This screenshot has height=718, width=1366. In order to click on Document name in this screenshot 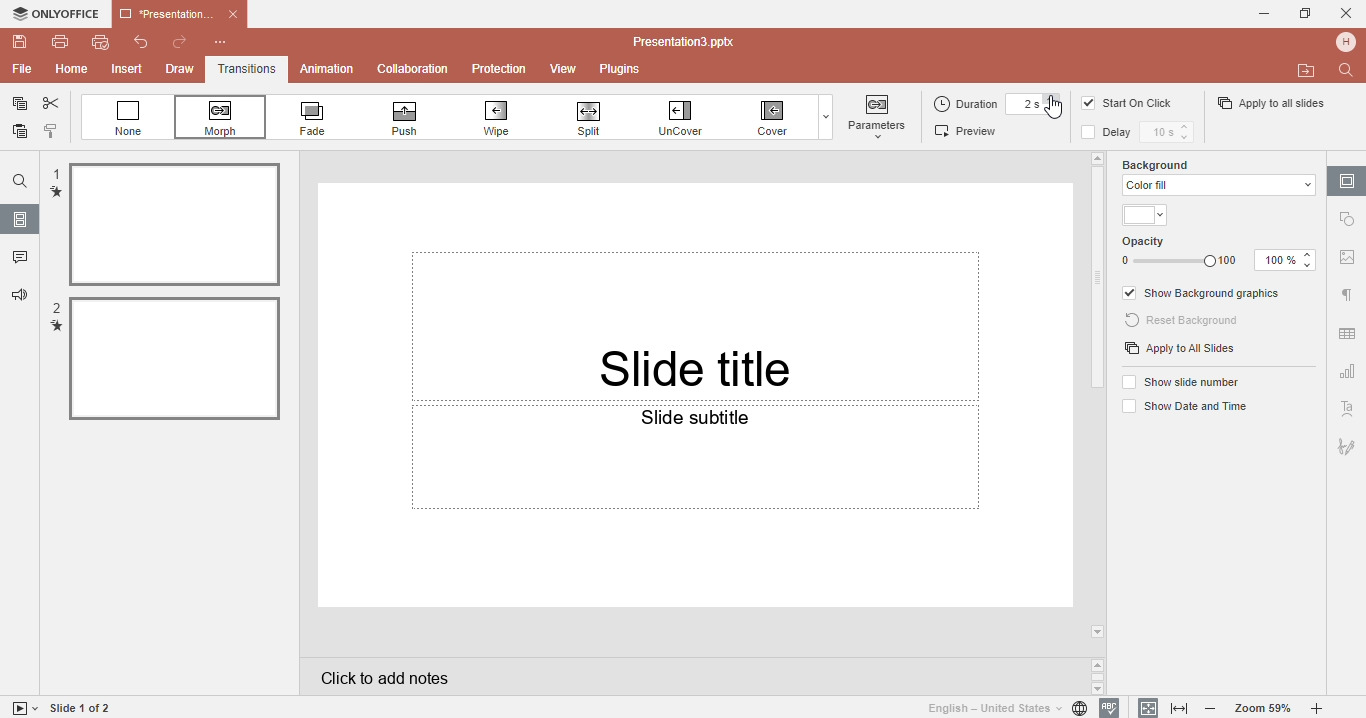, I will do `click(689, 42)`.